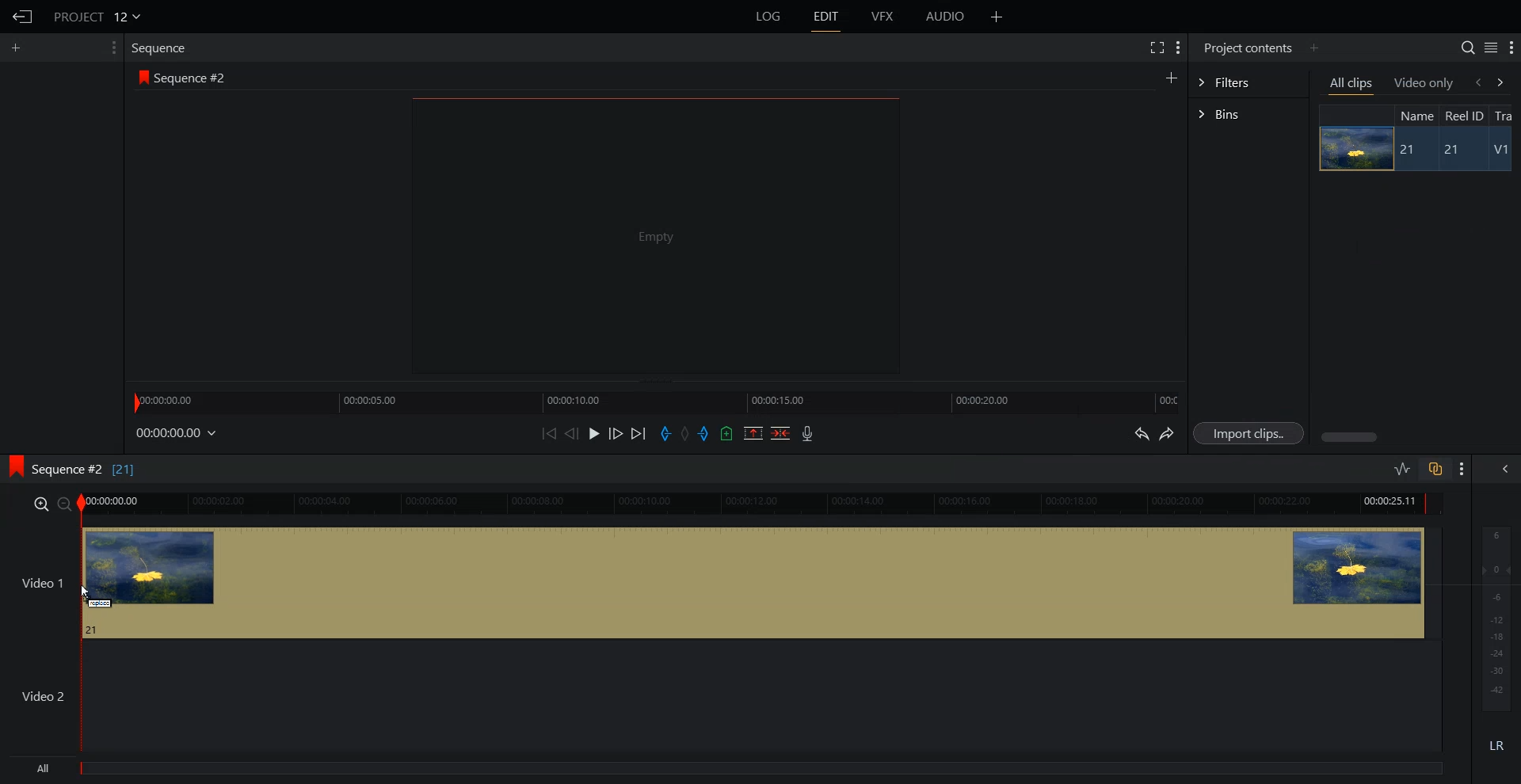 The width and height of the screenshot is (1521, 784). I want to click on logo, so click(141, 76).